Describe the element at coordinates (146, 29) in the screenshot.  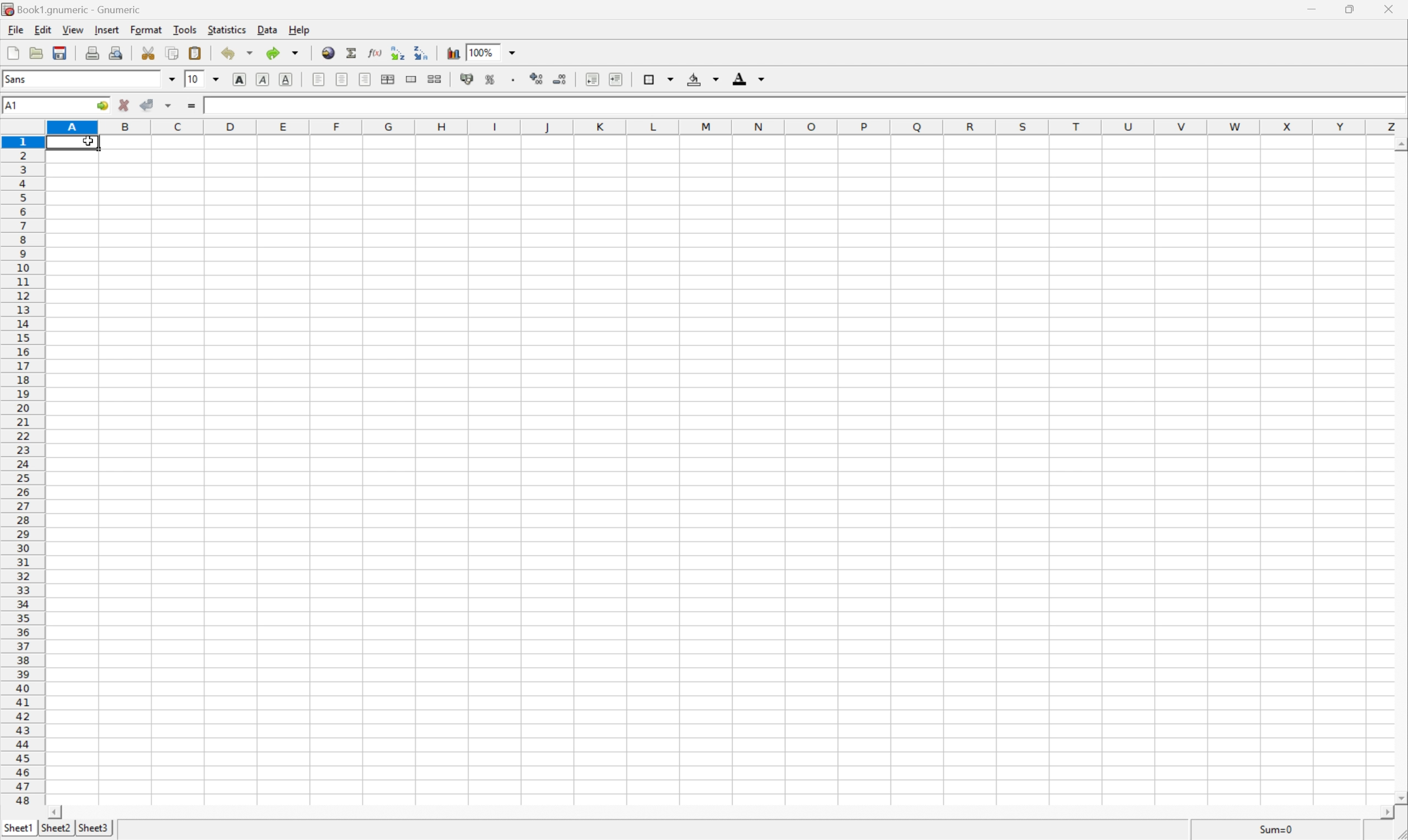
I see `format` at that location.